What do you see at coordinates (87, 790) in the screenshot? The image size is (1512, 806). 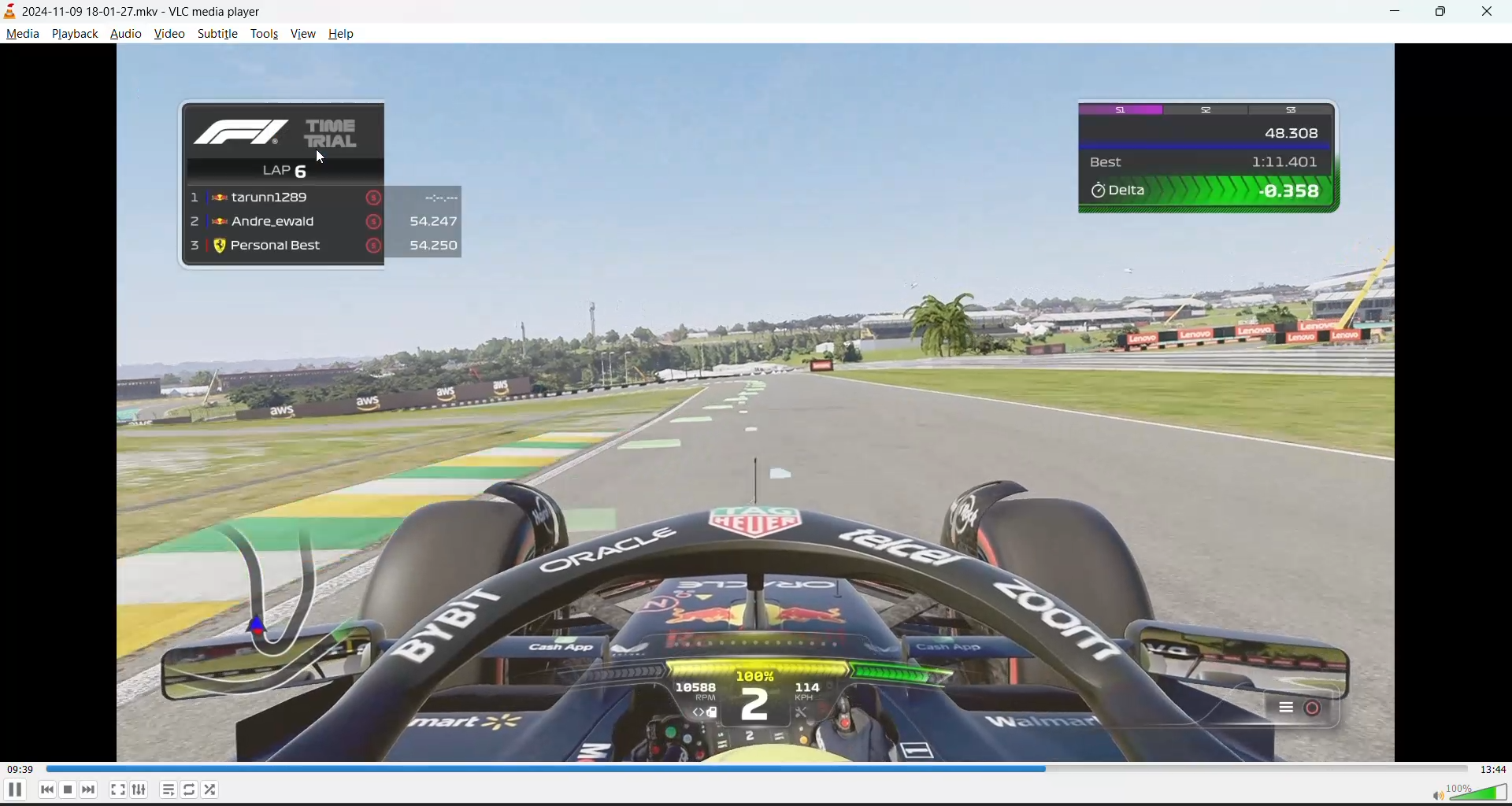 I see `next` at bounding box center [87, 790].